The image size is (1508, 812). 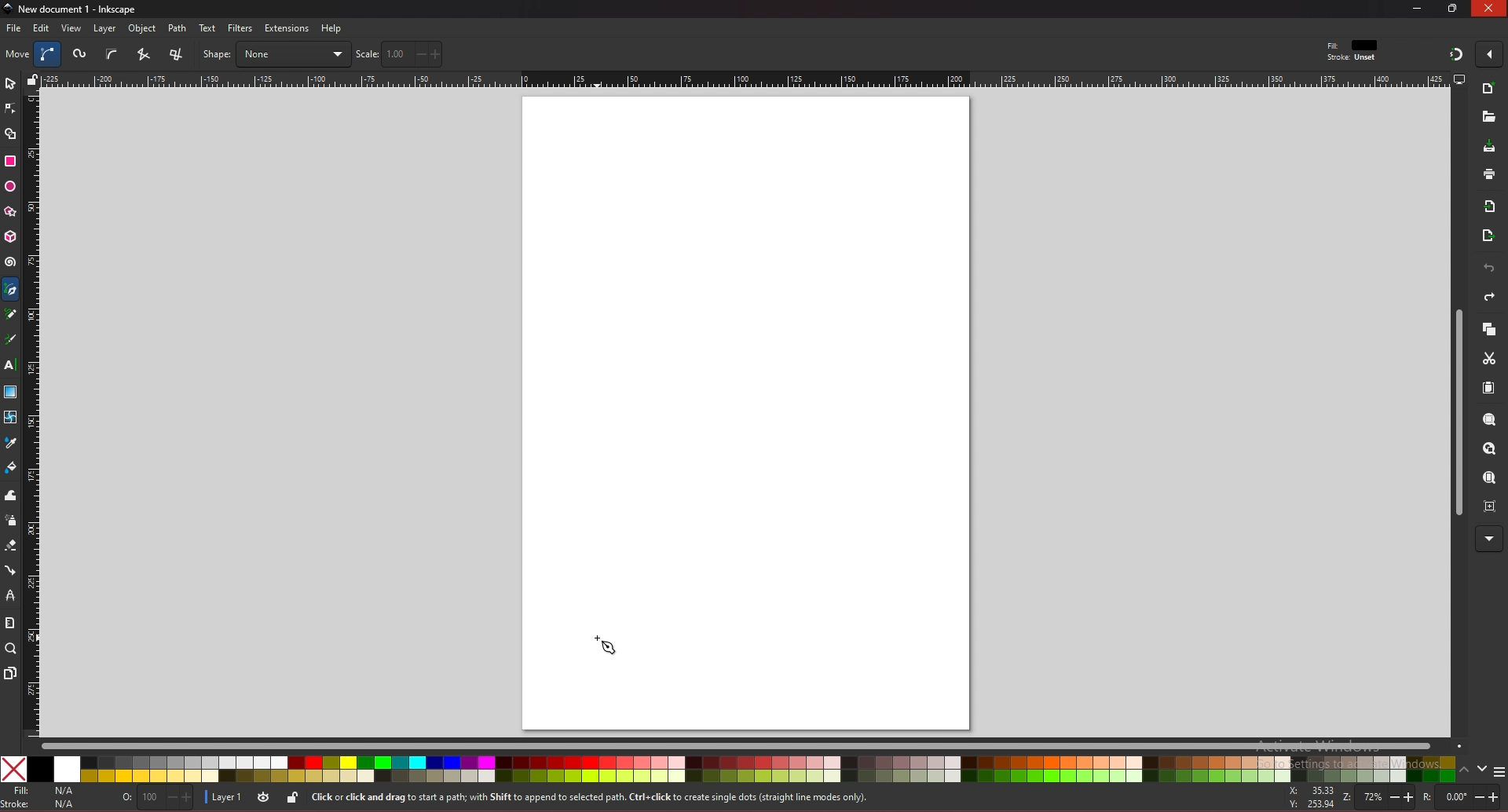 I want to click on vertical rule, so click(x=31, y=415).